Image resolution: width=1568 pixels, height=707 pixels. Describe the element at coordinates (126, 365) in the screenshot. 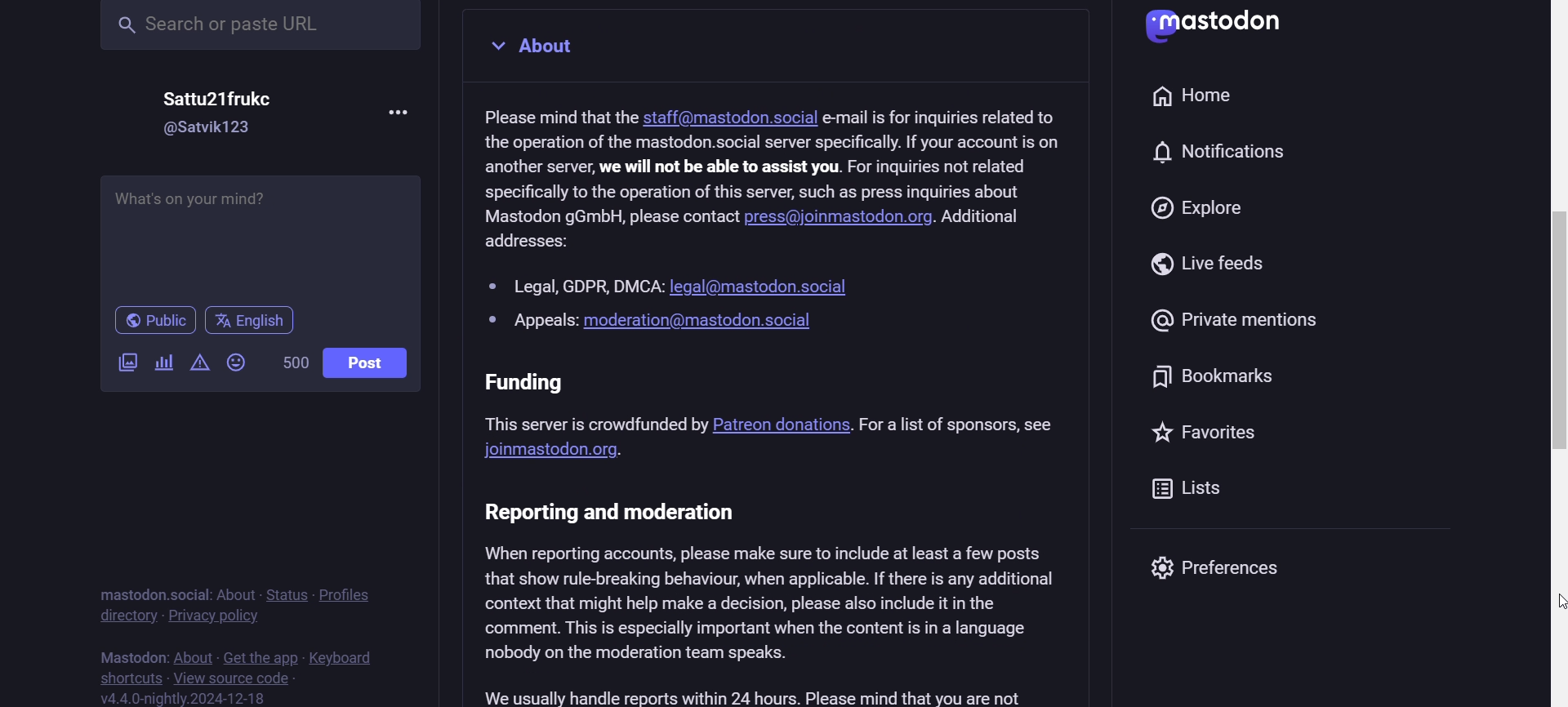

I see `image/video` at that location.